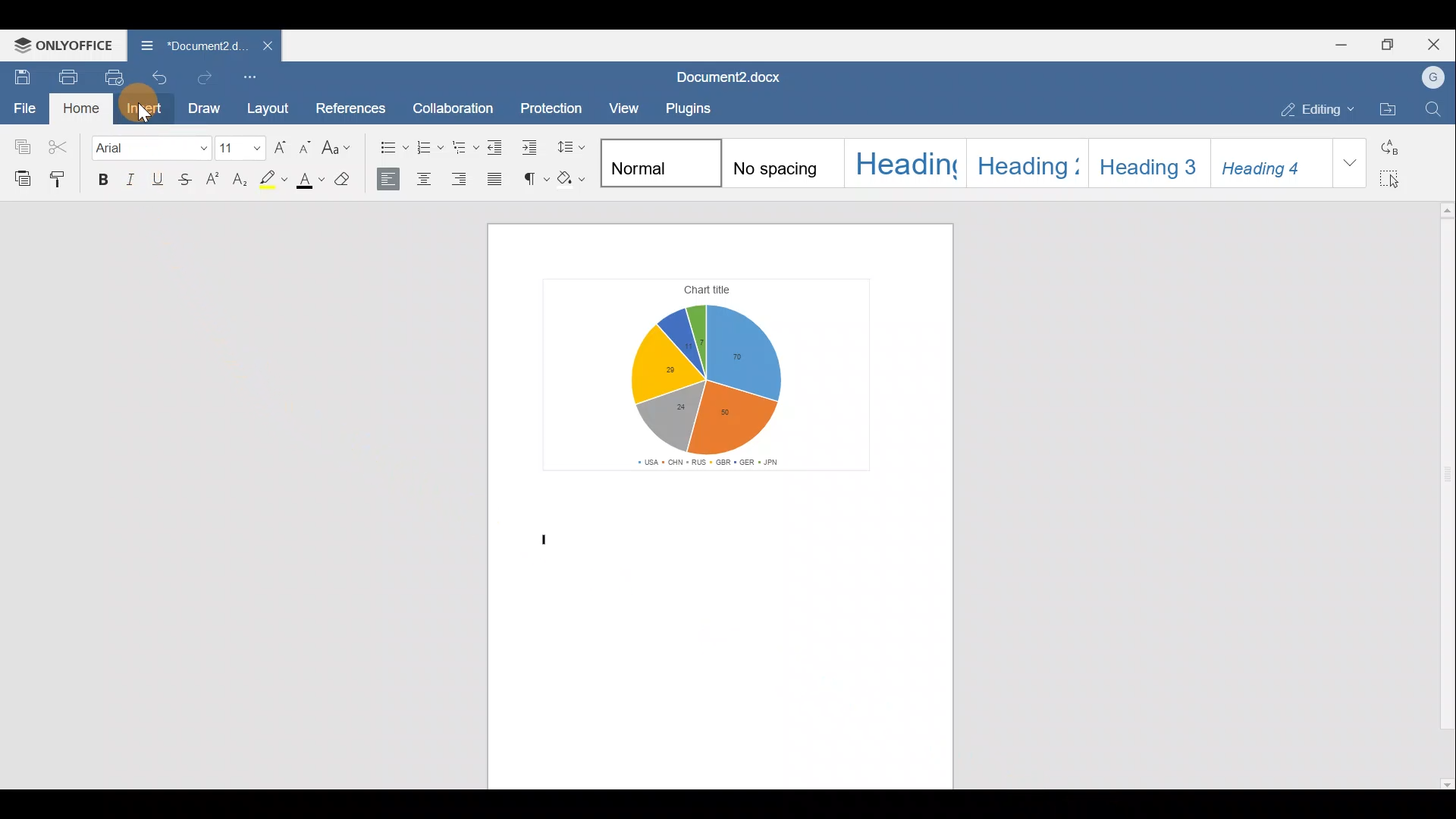 Image resolution: width=1456 pixels, height=819 pixels. Describe the element at coordinates (145, 114) in the screenshot. I see `Cursor on insert` at that location.